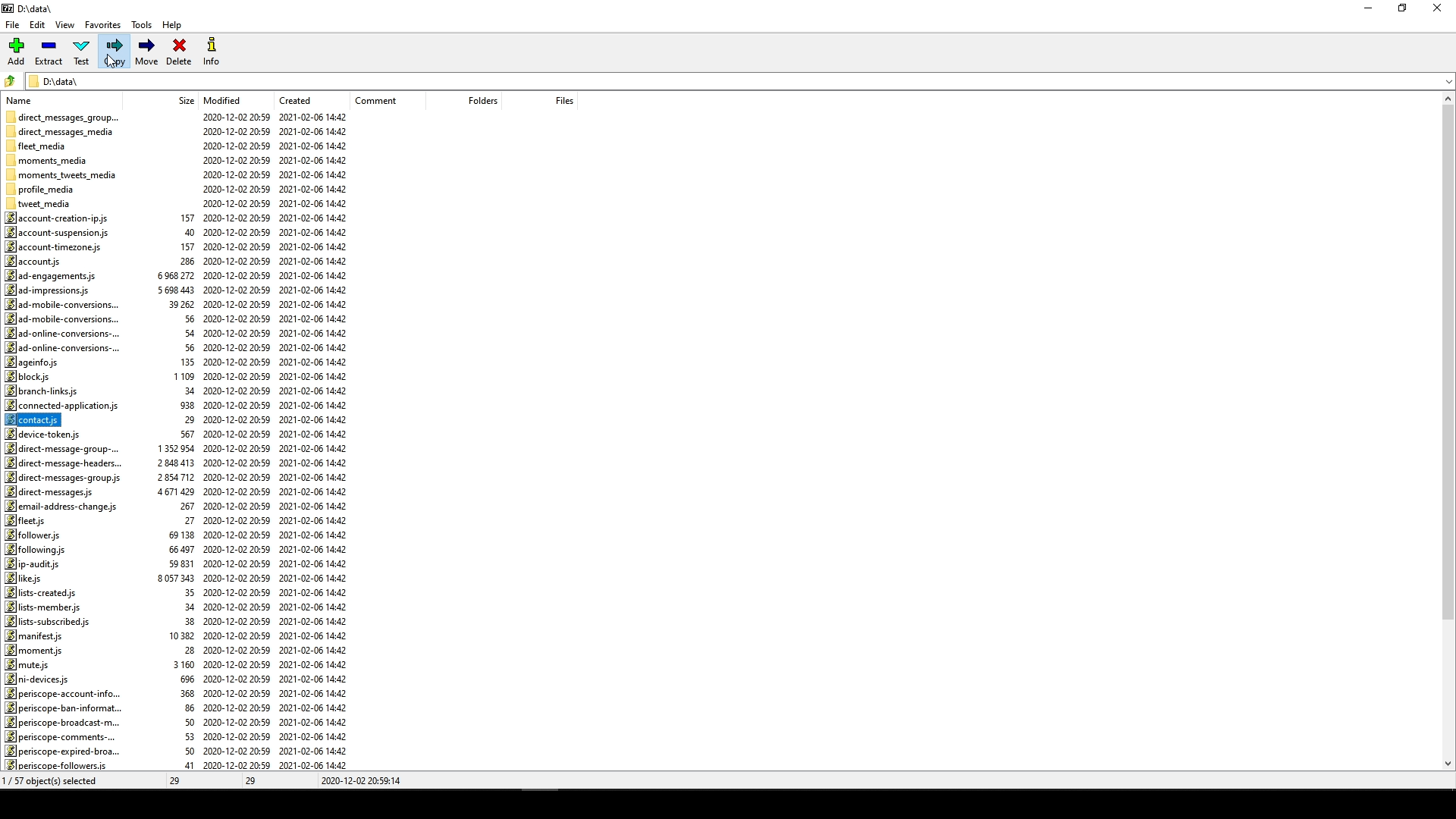 The image size is (1456, 819). Describe the element at coordinates (37, 419) in the screenshot. I see `contacts.js` at that location.